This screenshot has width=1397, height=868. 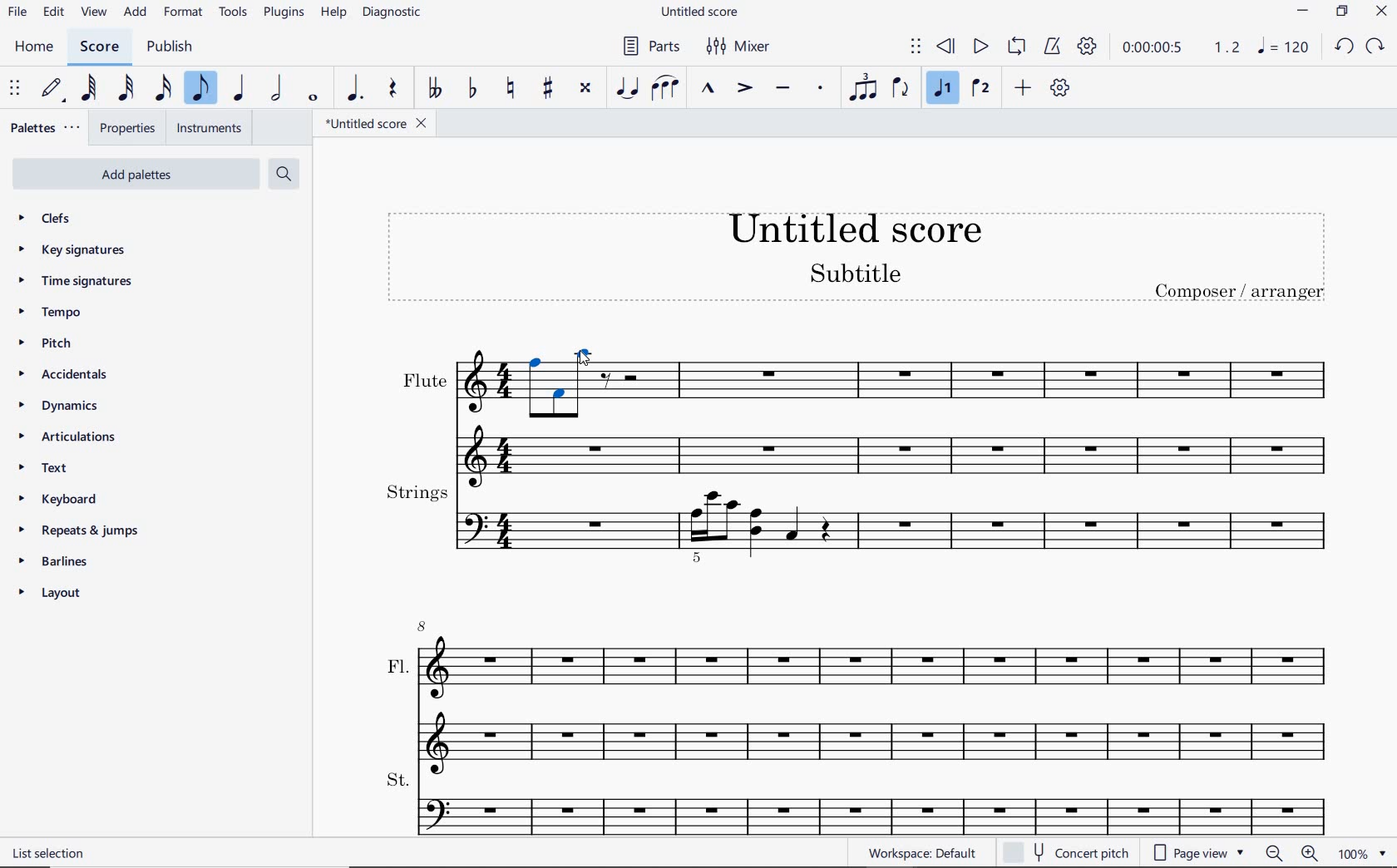 What do you see at coordinates (665, 89) in the screenshot?
I see `SLUR` at bounding box center [665, 89].